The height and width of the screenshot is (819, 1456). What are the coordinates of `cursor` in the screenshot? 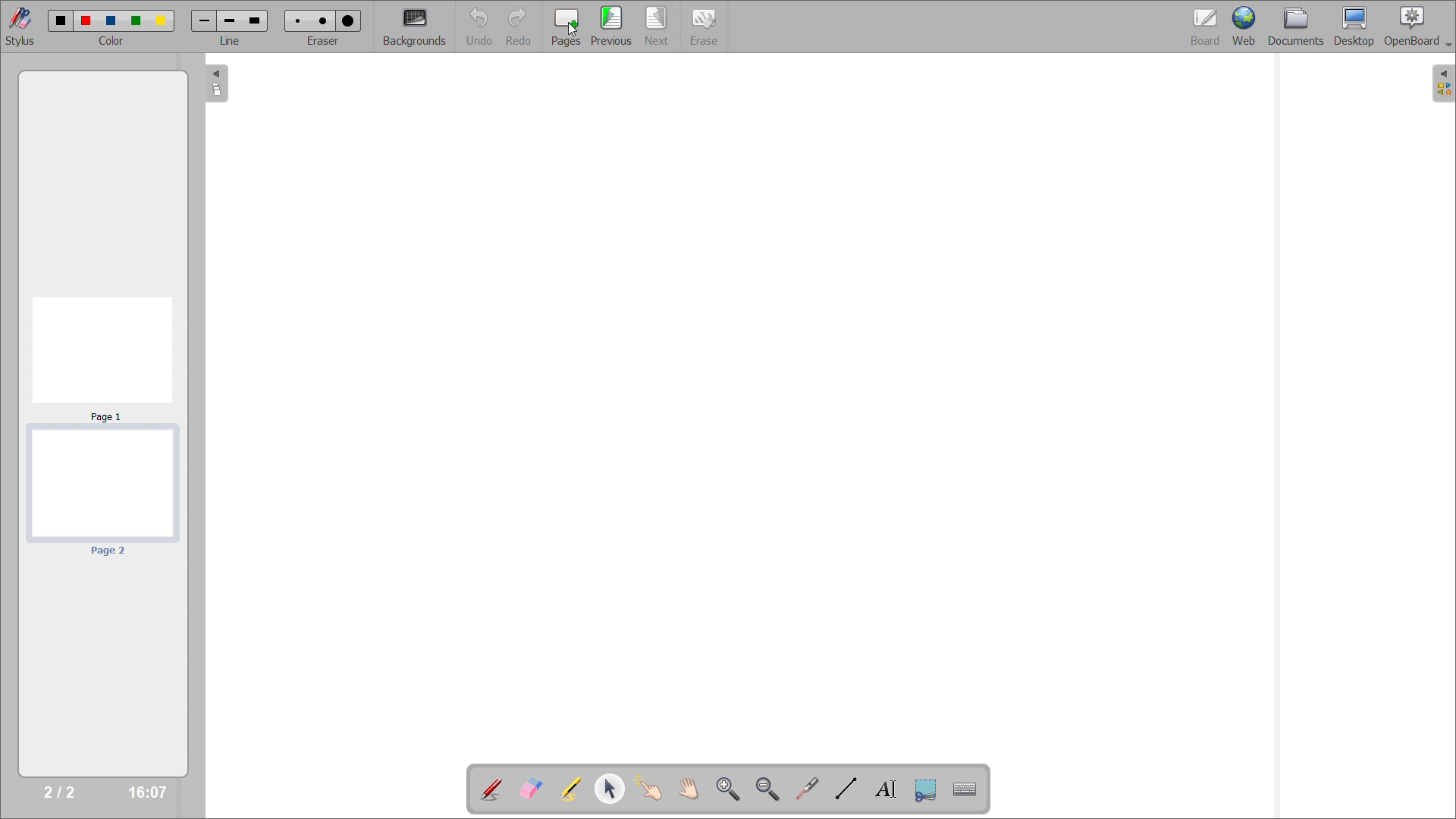 It's located at (572, 30).